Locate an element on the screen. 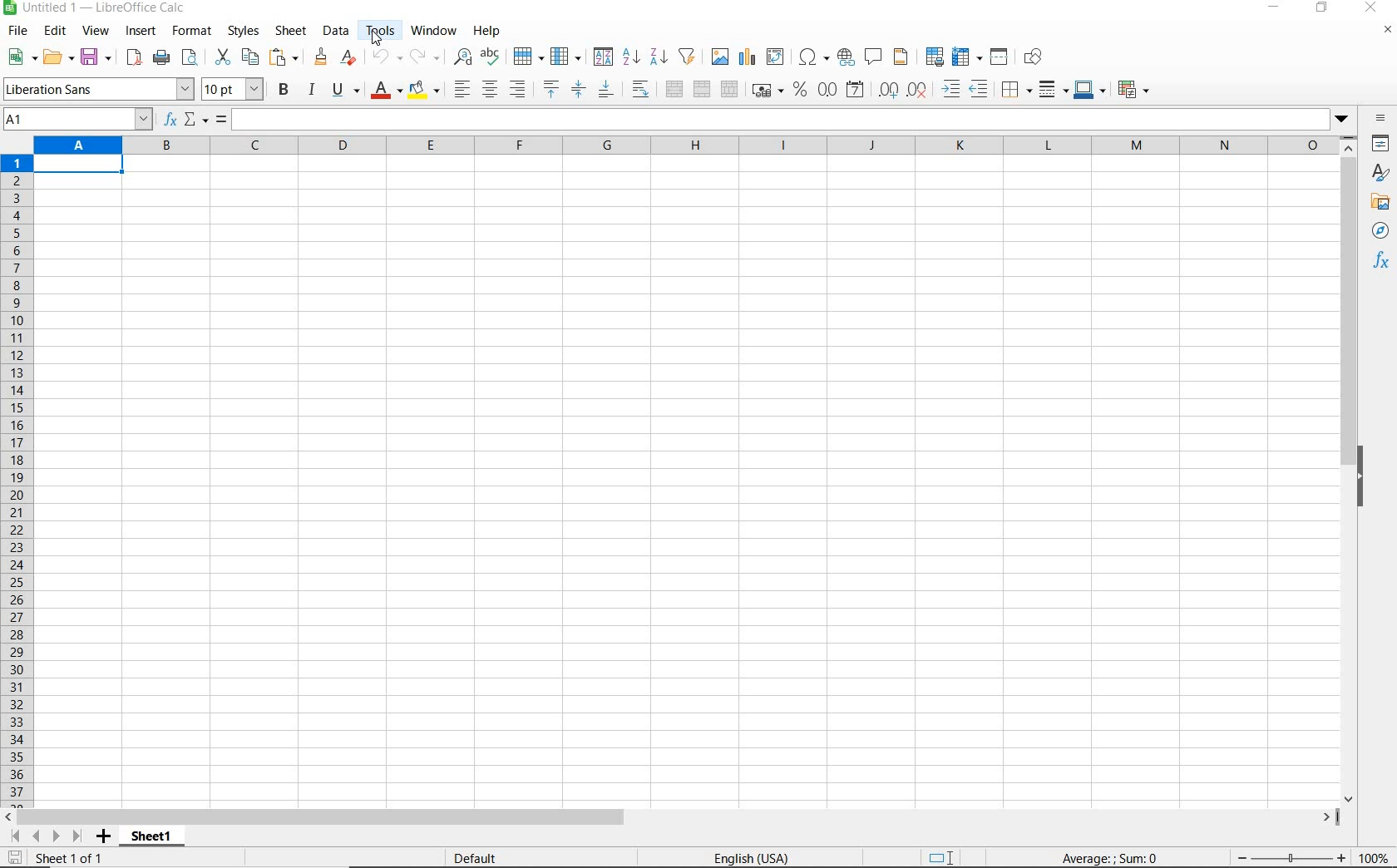  ZOOM FACTOR is located at coordinates (1373, 856).